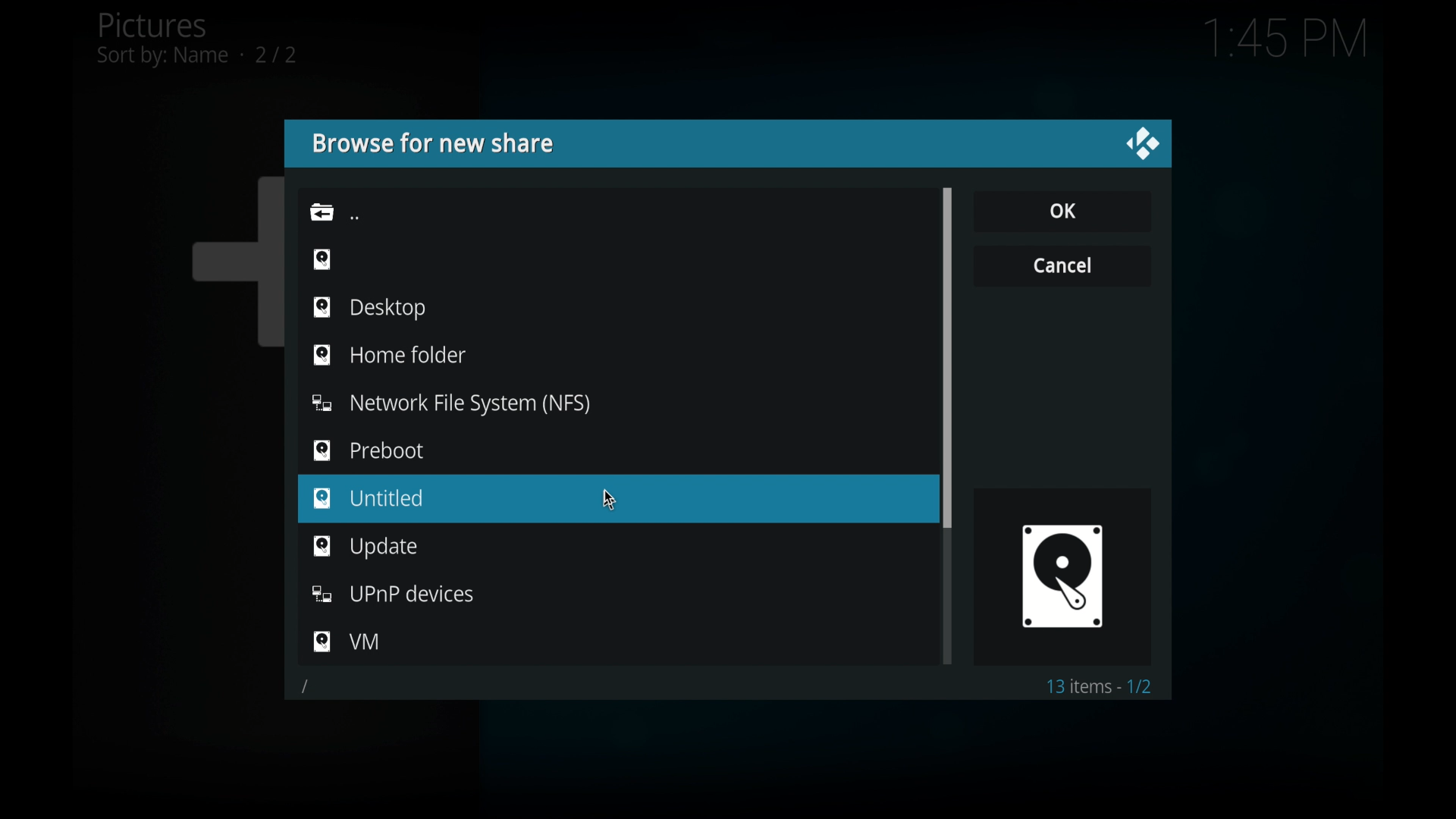 The image size is (1456, 819). Describe the element at coordinates (1142, 143) in the screenshot. I see `close` at that location.